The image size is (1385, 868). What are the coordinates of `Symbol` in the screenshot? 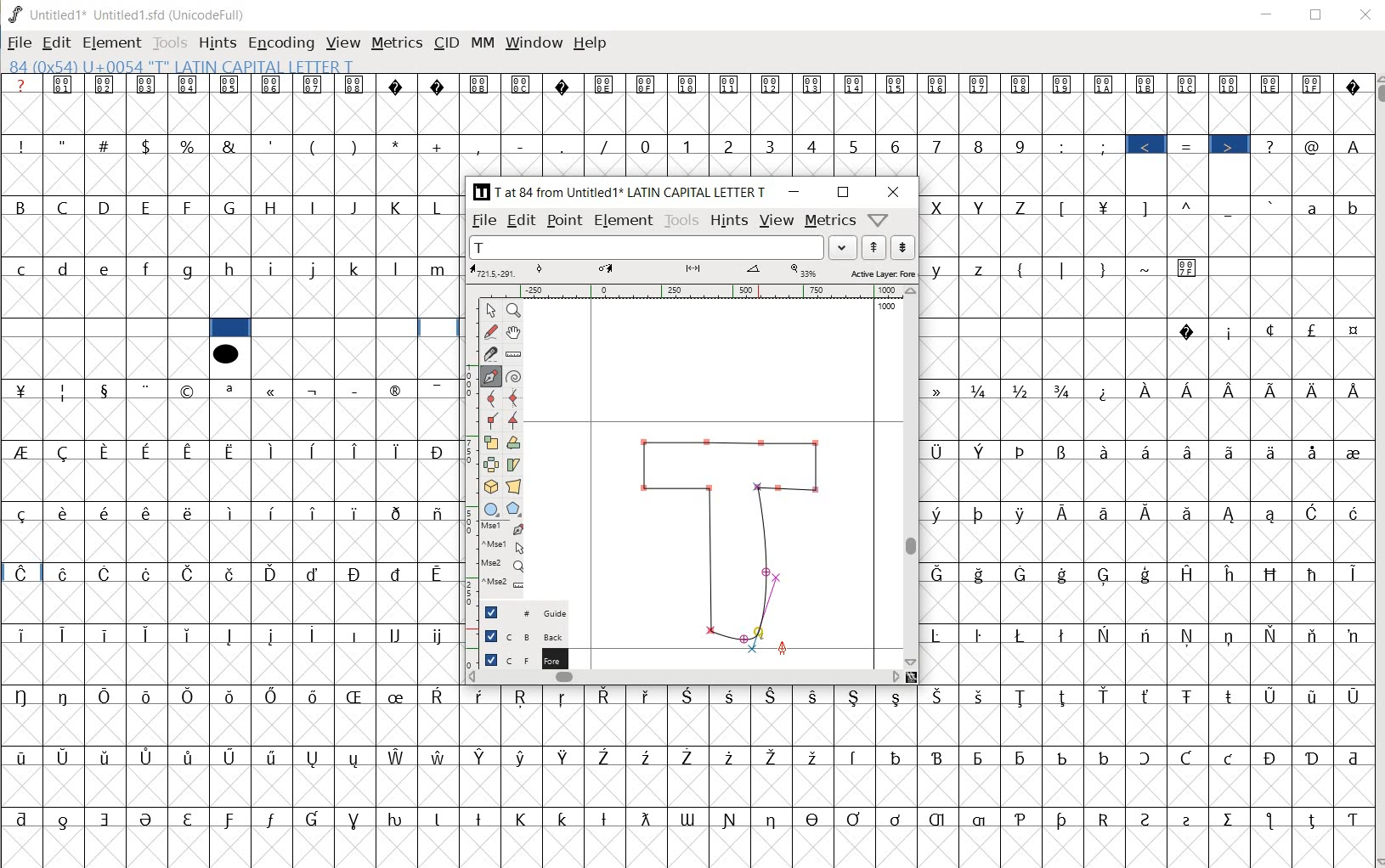 It's located at (942, 392).